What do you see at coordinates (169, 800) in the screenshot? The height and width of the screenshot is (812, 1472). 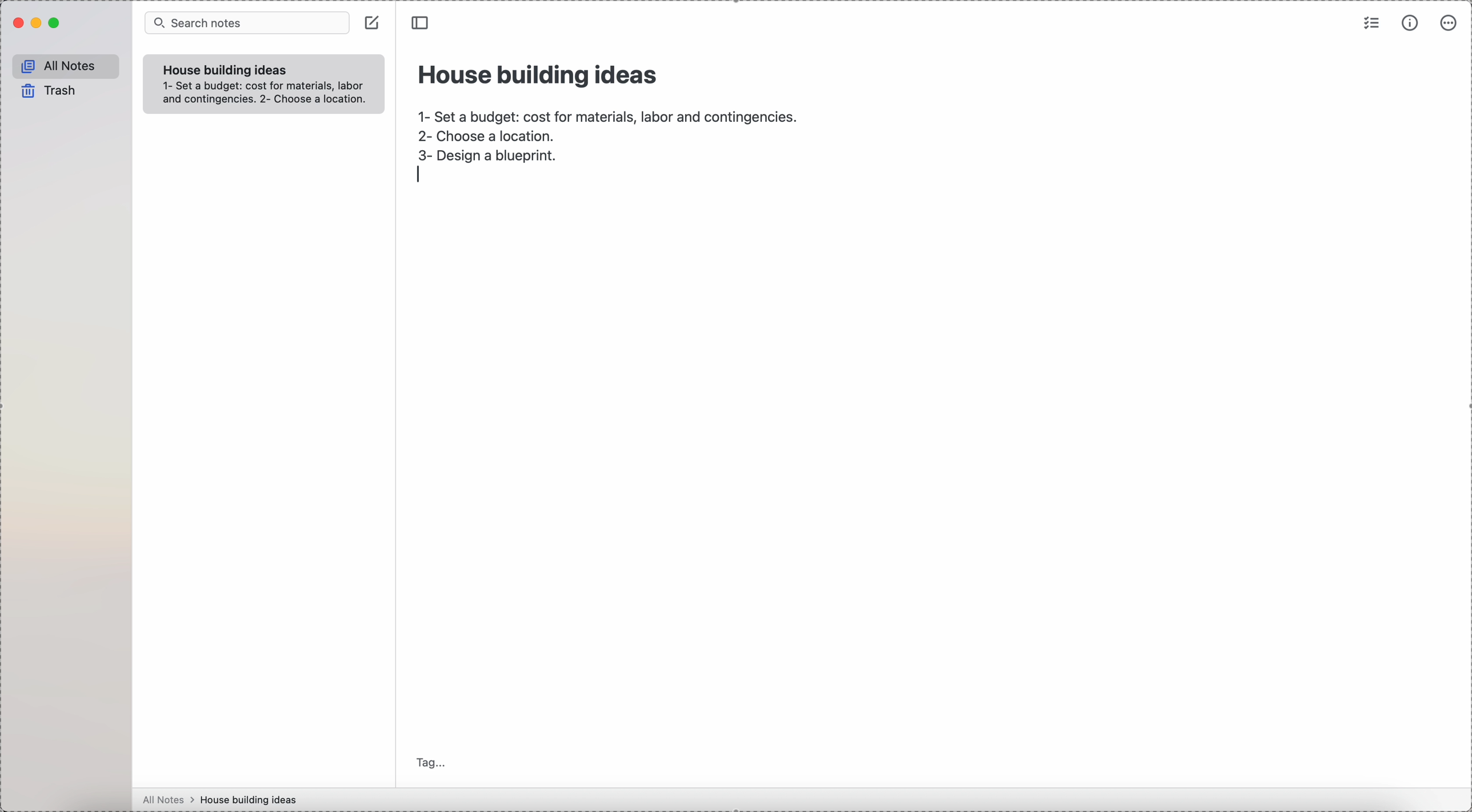 I see `all notes` at bounding box center [169, 800].